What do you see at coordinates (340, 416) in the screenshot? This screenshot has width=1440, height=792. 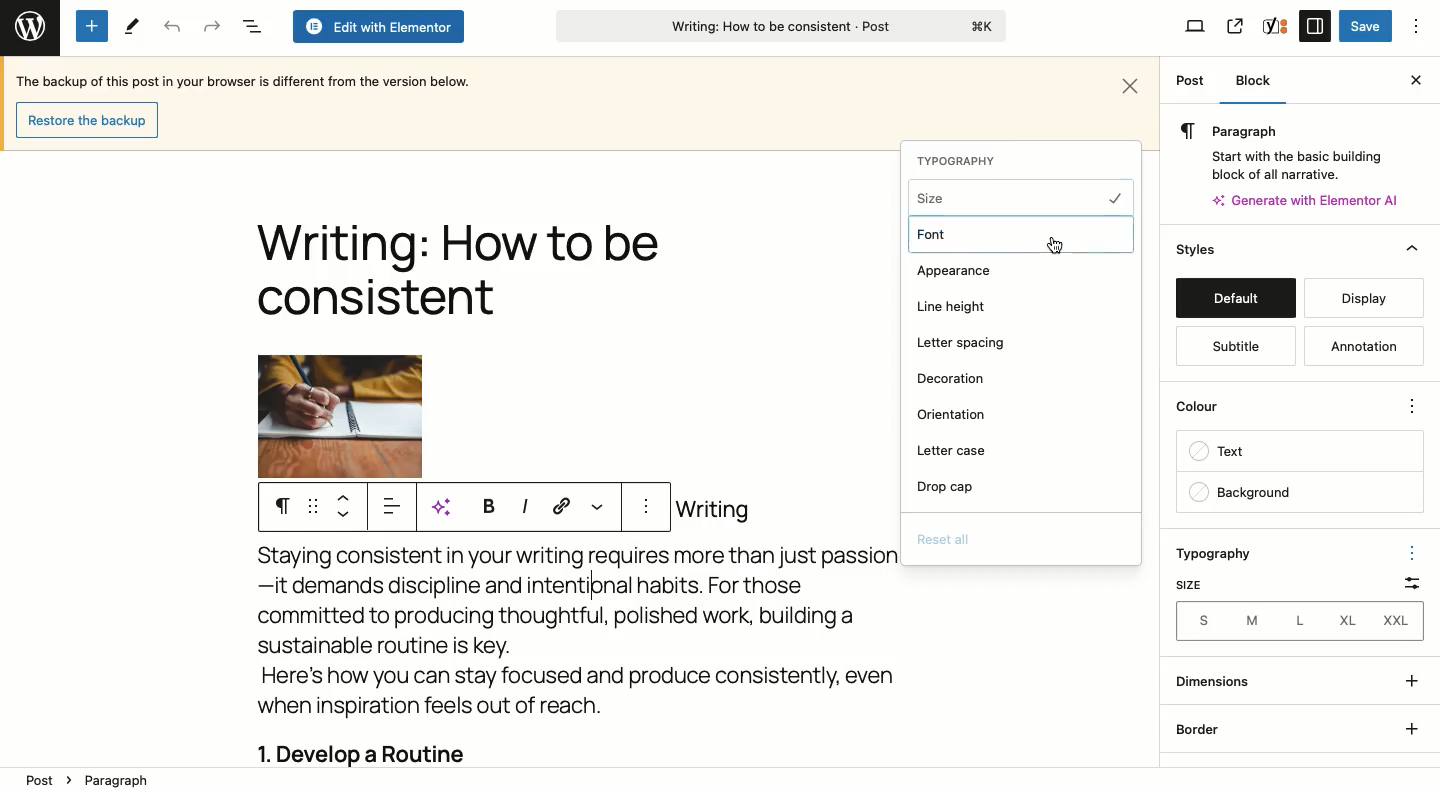 I see `Image` at bounding box center [340, 416].